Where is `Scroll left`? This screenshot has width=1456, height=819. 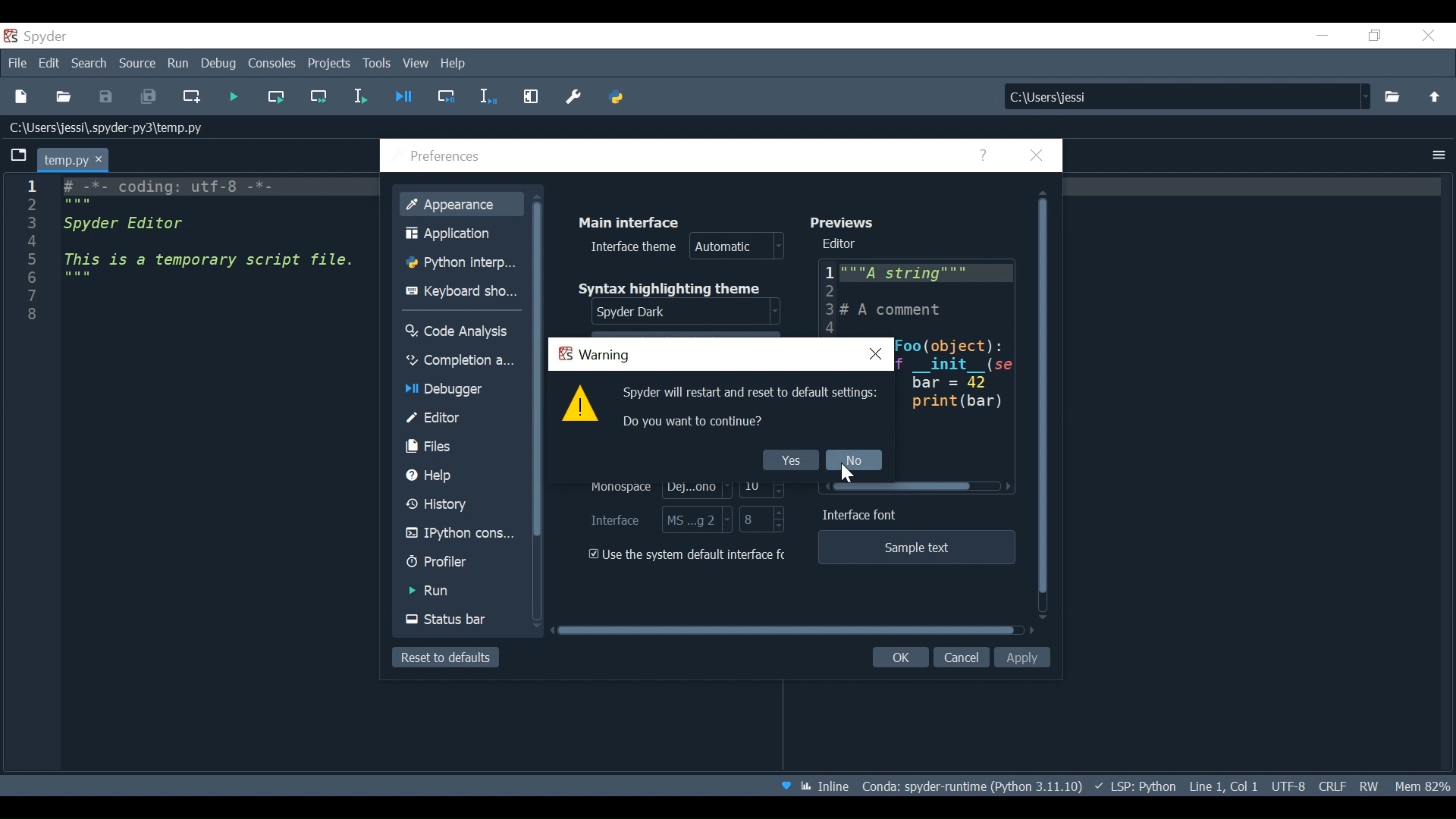 Scroll left is located at coordinates (827, 485).